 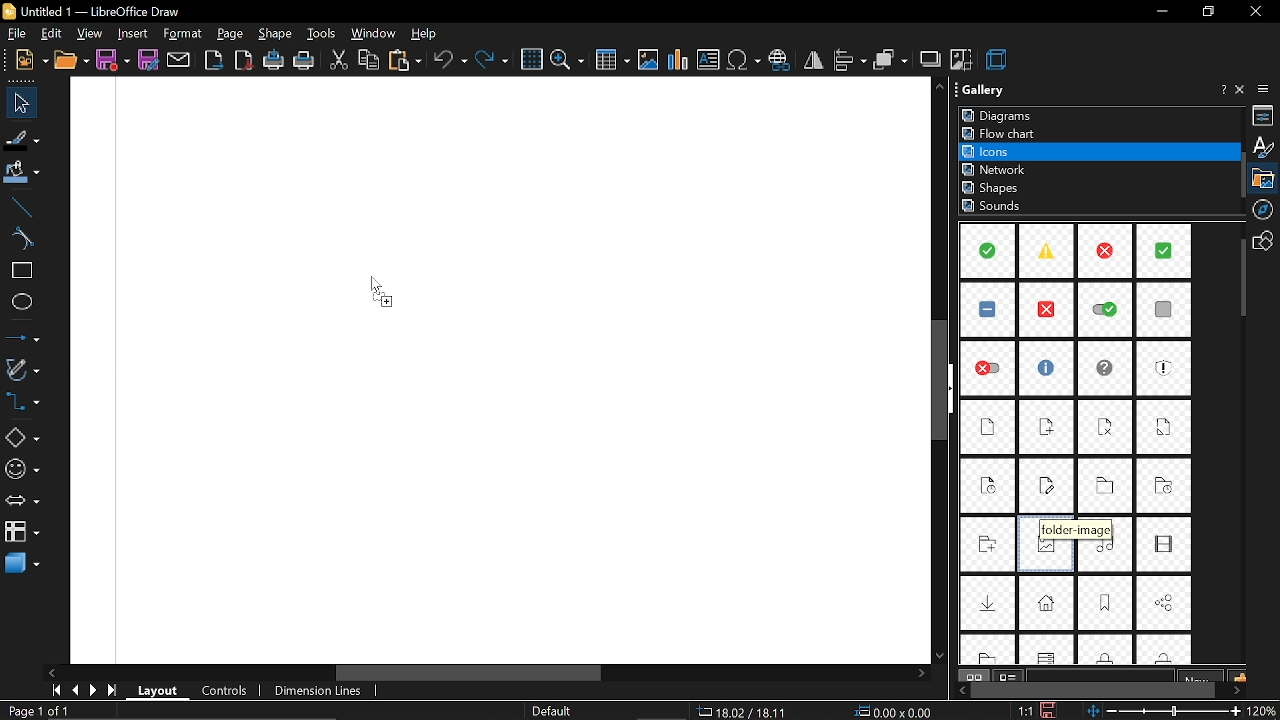 I want to click on insert, so click(x=130, y=34).